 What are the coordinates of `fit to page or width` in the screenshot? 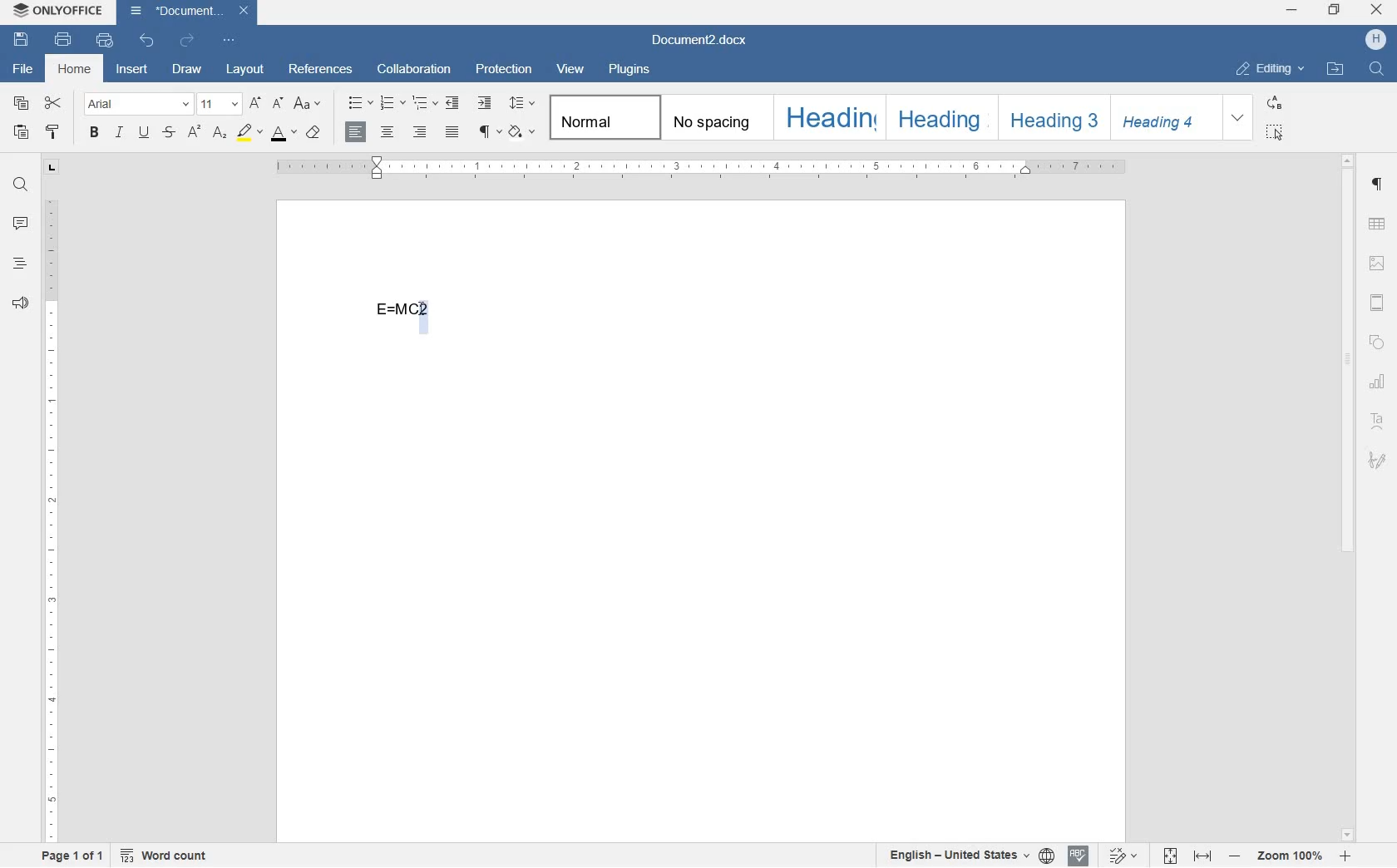 It's located at (1186, 856).